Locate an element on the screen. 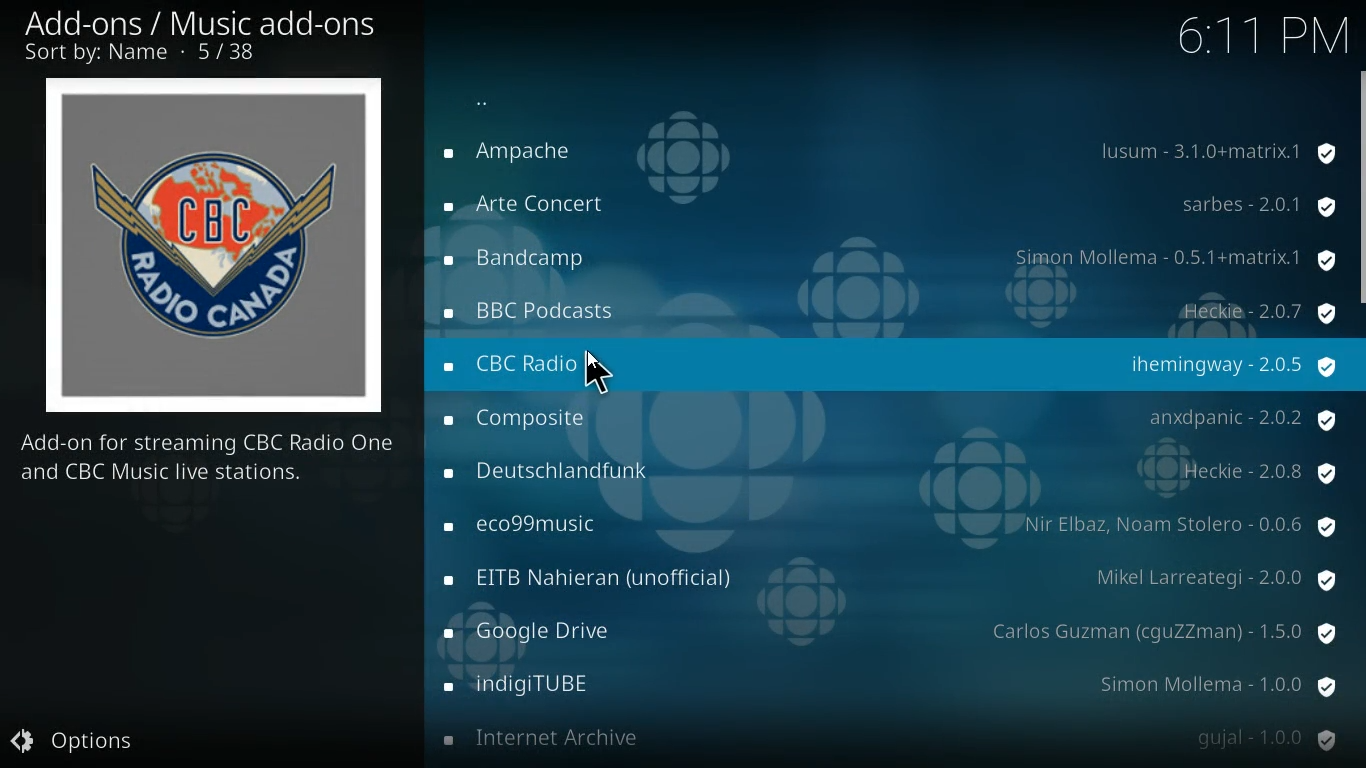  add-ons is located at coordinates (207, 22).